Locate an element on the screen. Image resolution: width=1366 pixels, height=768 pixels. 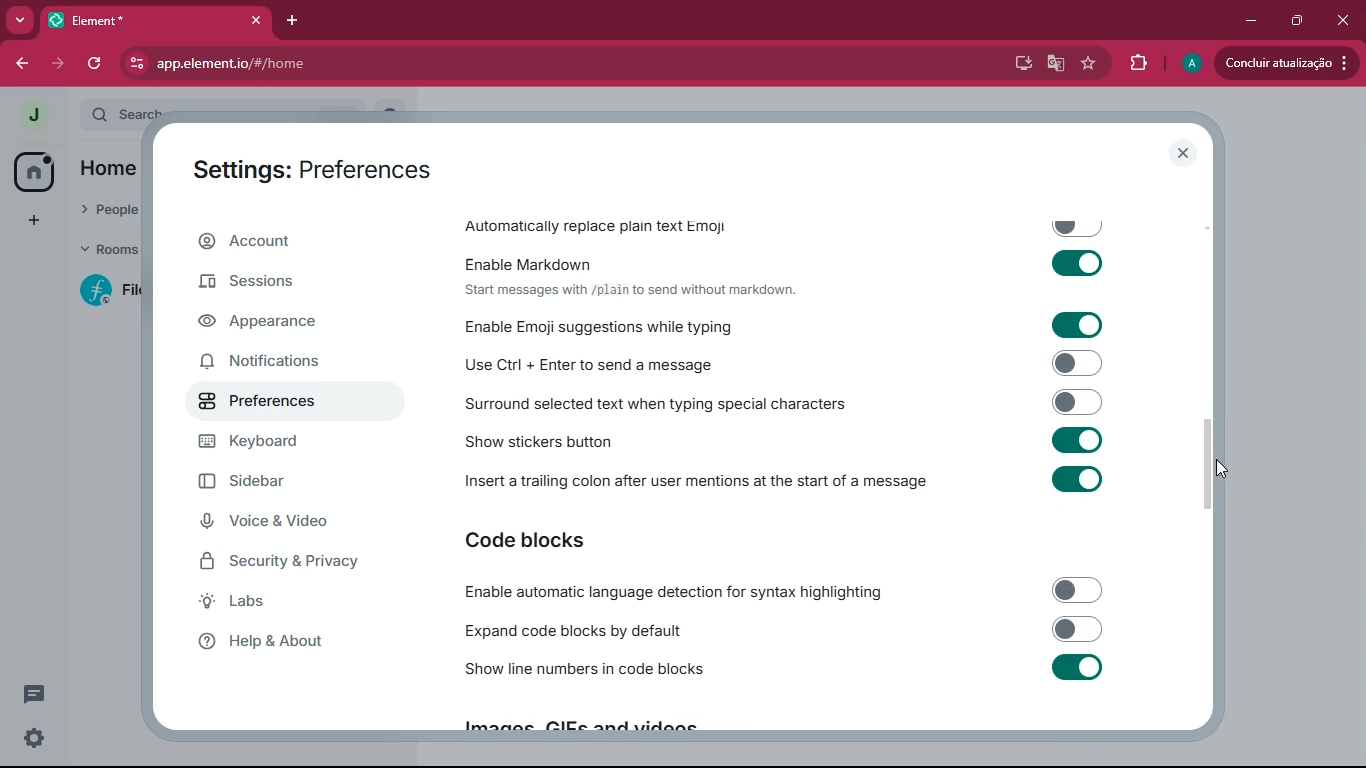
Enable Markdown is located at coordinates (789, 261).